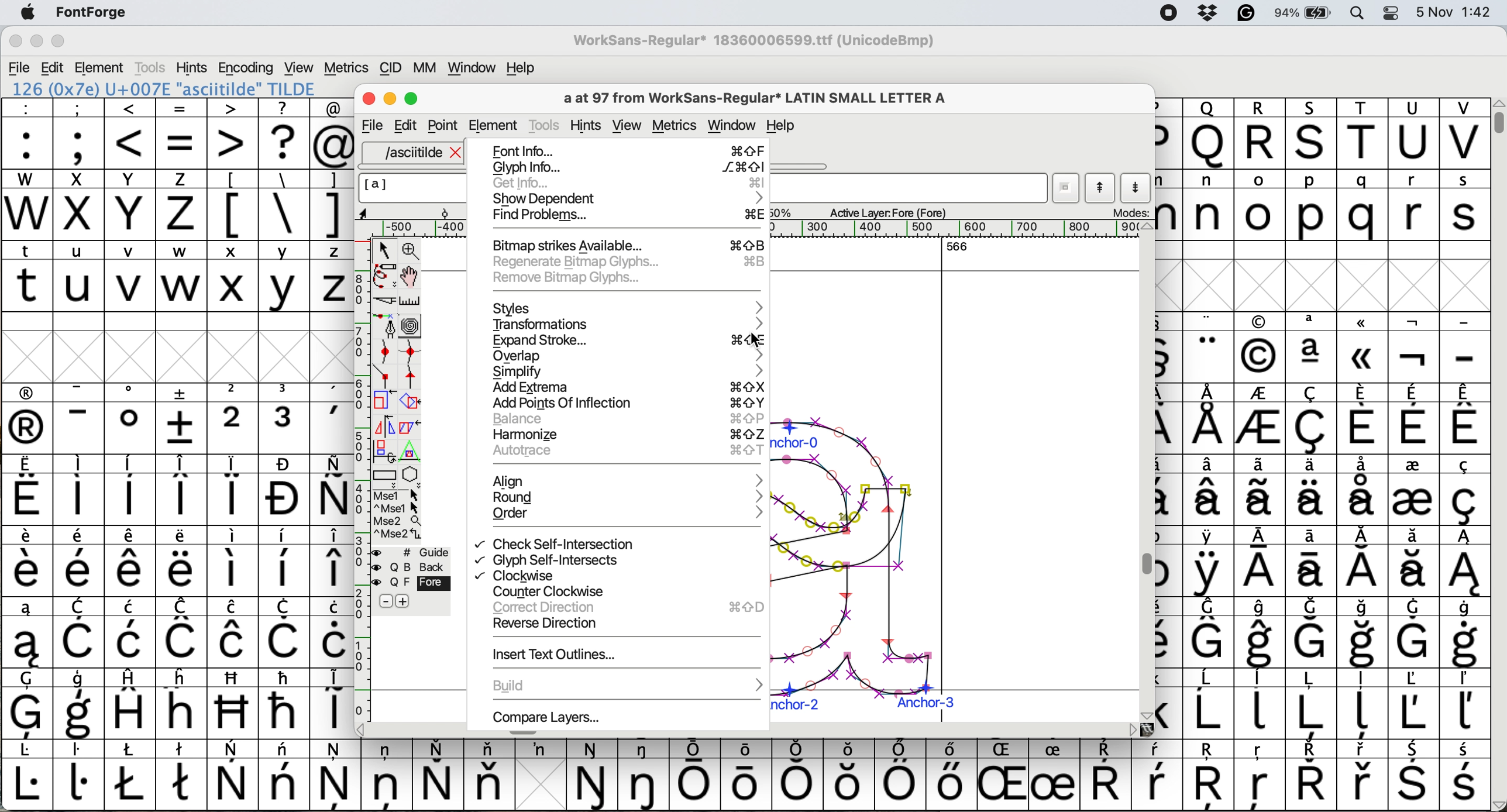 The width and height of the screenshot is (1507, 812). I want to click on symbol, so click(1413, 419).